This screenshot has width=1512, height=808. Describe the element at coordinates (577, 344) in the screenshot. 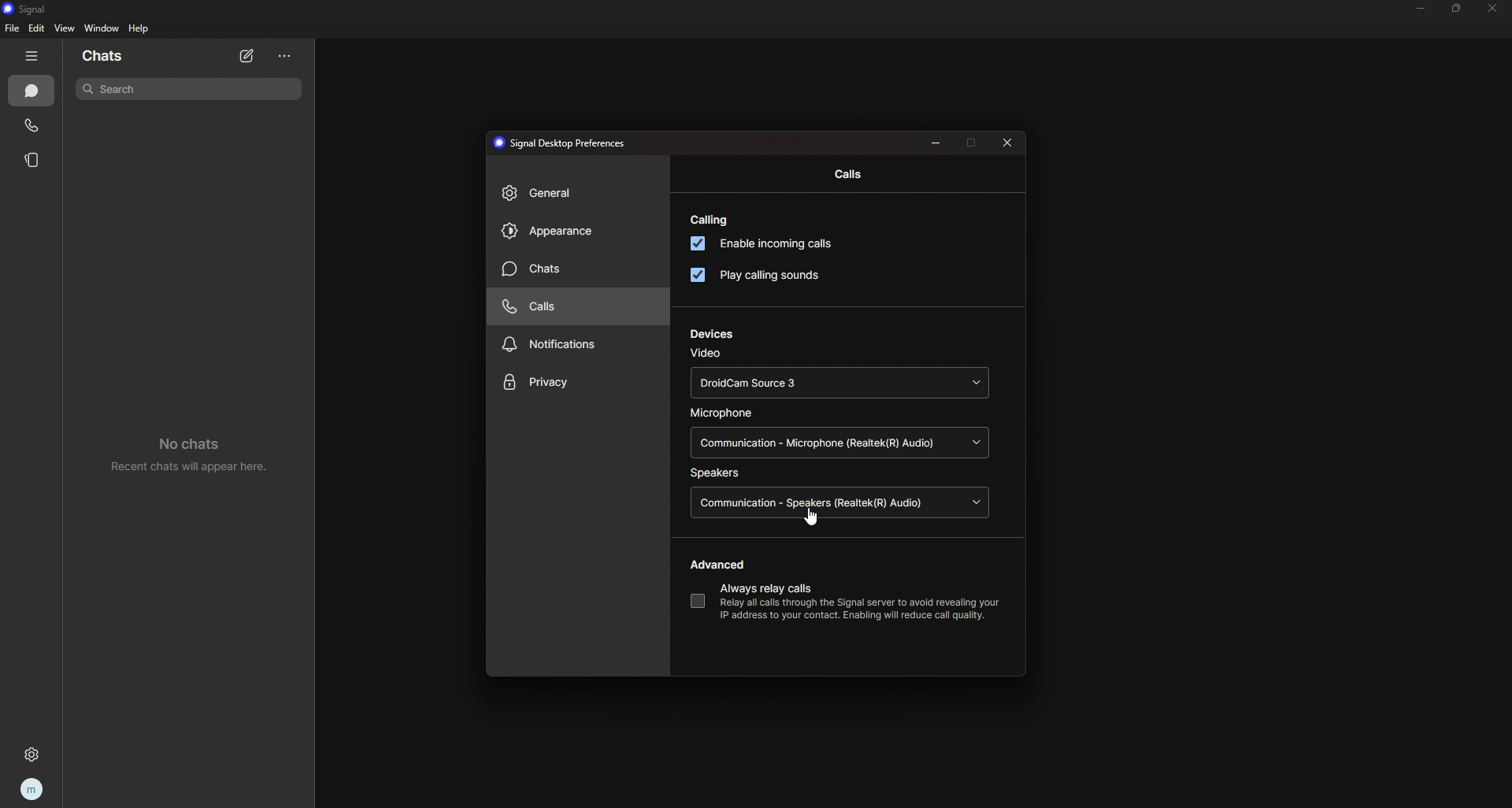

I see `notifications` at that location.